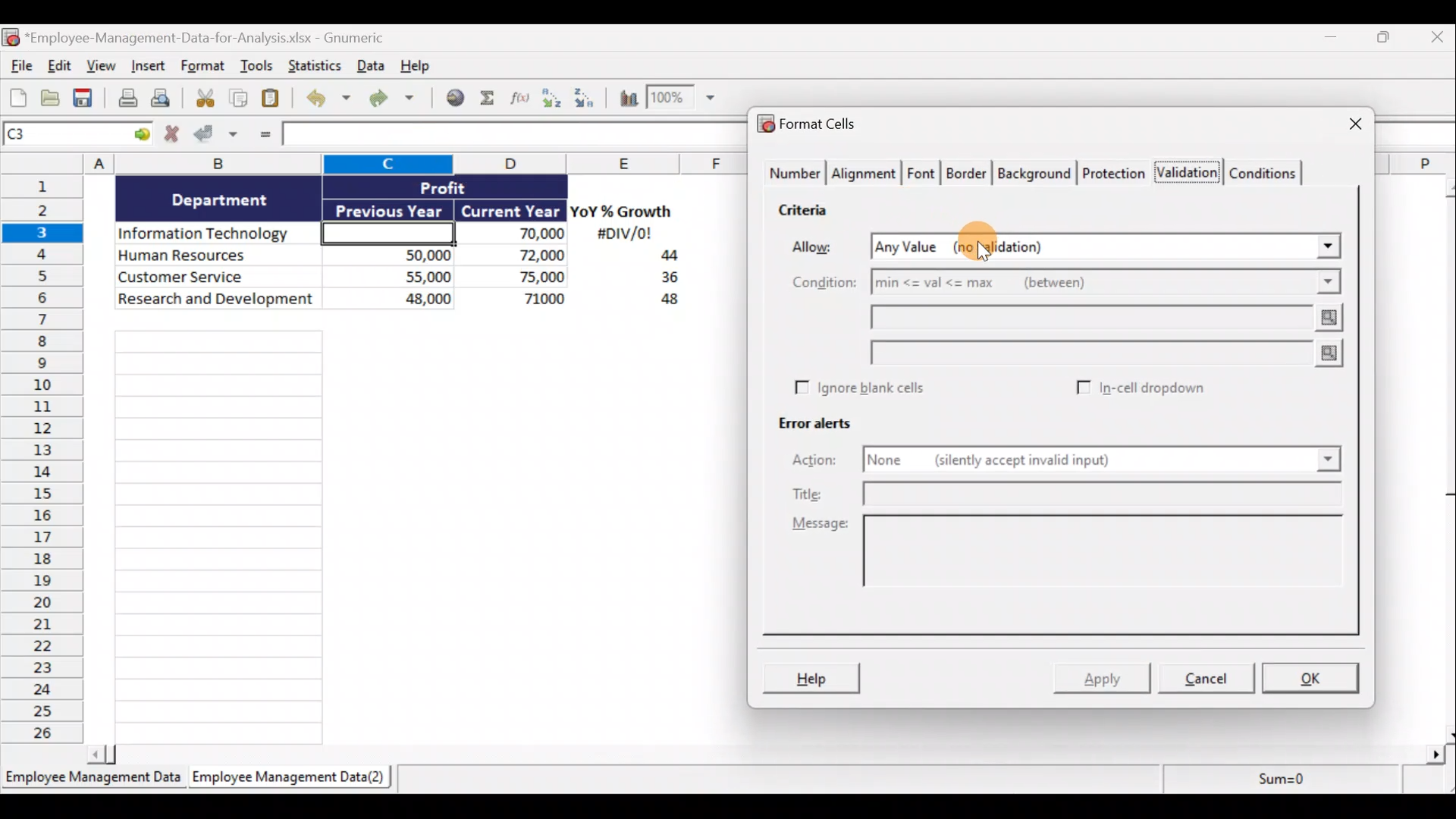 The image size is (1456, 819). What do you see at coordinates (518, 256) in the screenshot?
I see `72,000` at bounding box center [518, 256].